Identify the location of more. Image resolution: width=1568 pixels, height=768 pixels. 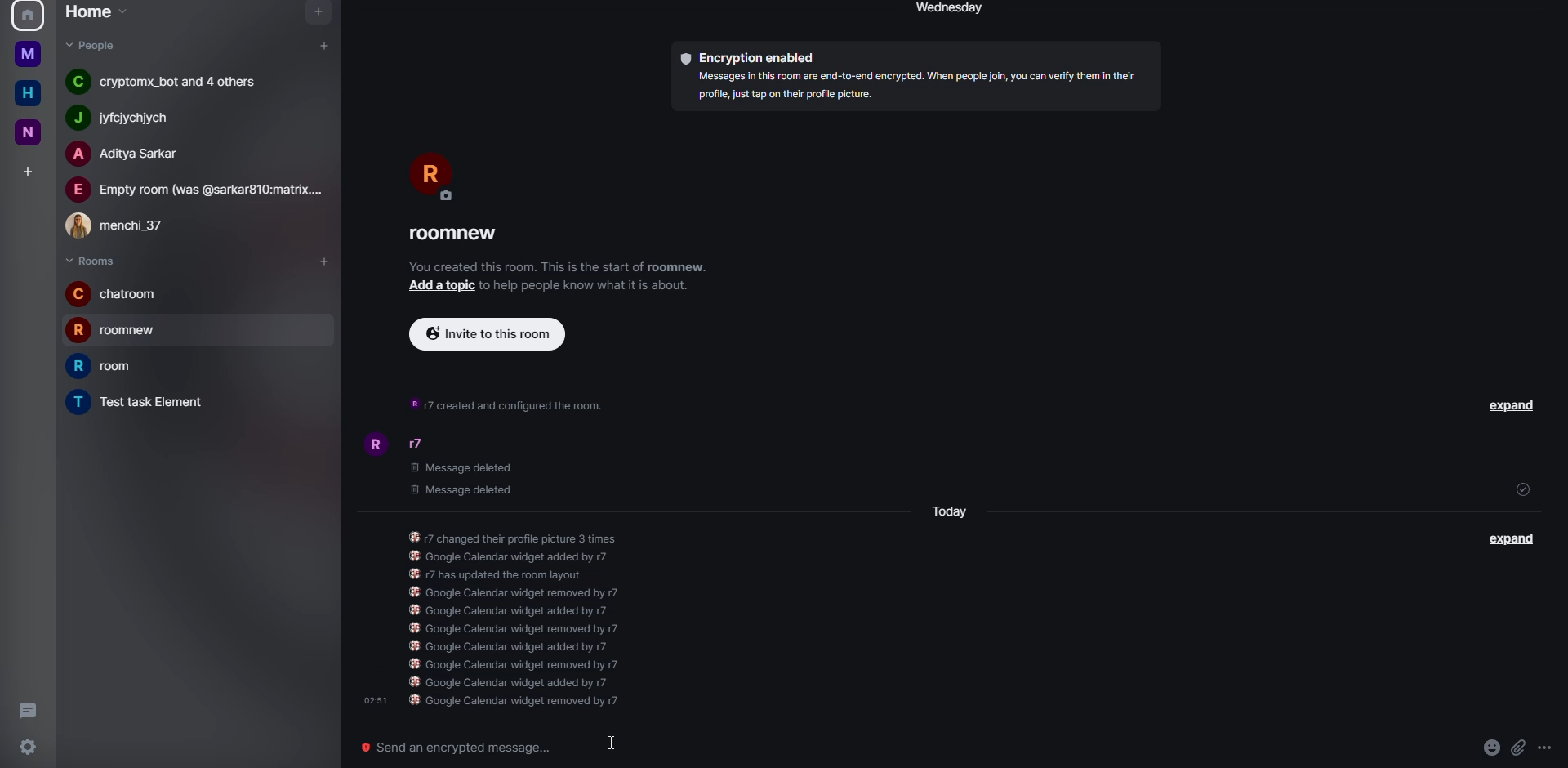
(1549, 747).